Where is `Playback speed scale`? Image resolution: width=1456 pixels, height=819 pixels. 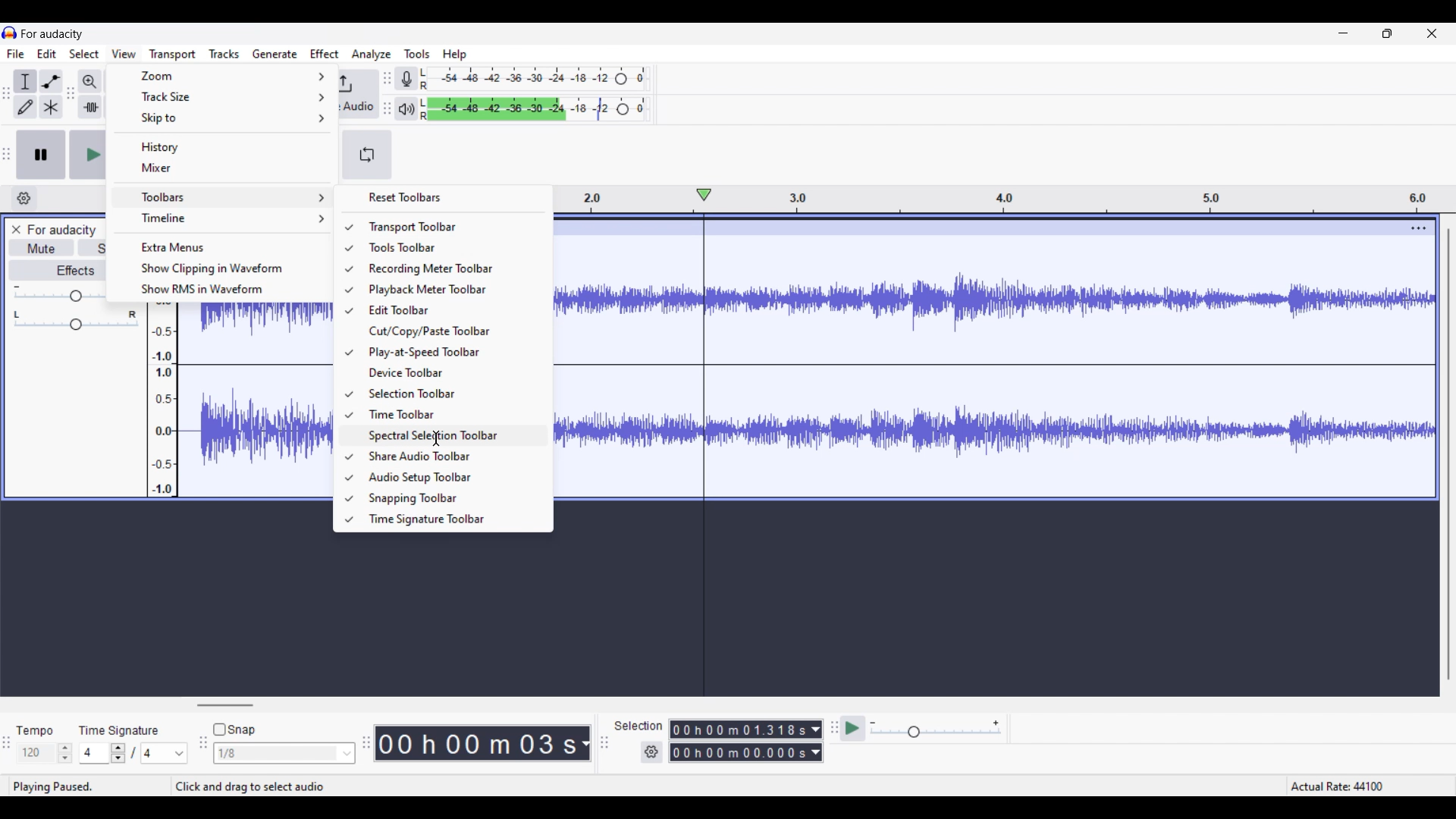
Playback speed scale is located at coordinates (936, 730).